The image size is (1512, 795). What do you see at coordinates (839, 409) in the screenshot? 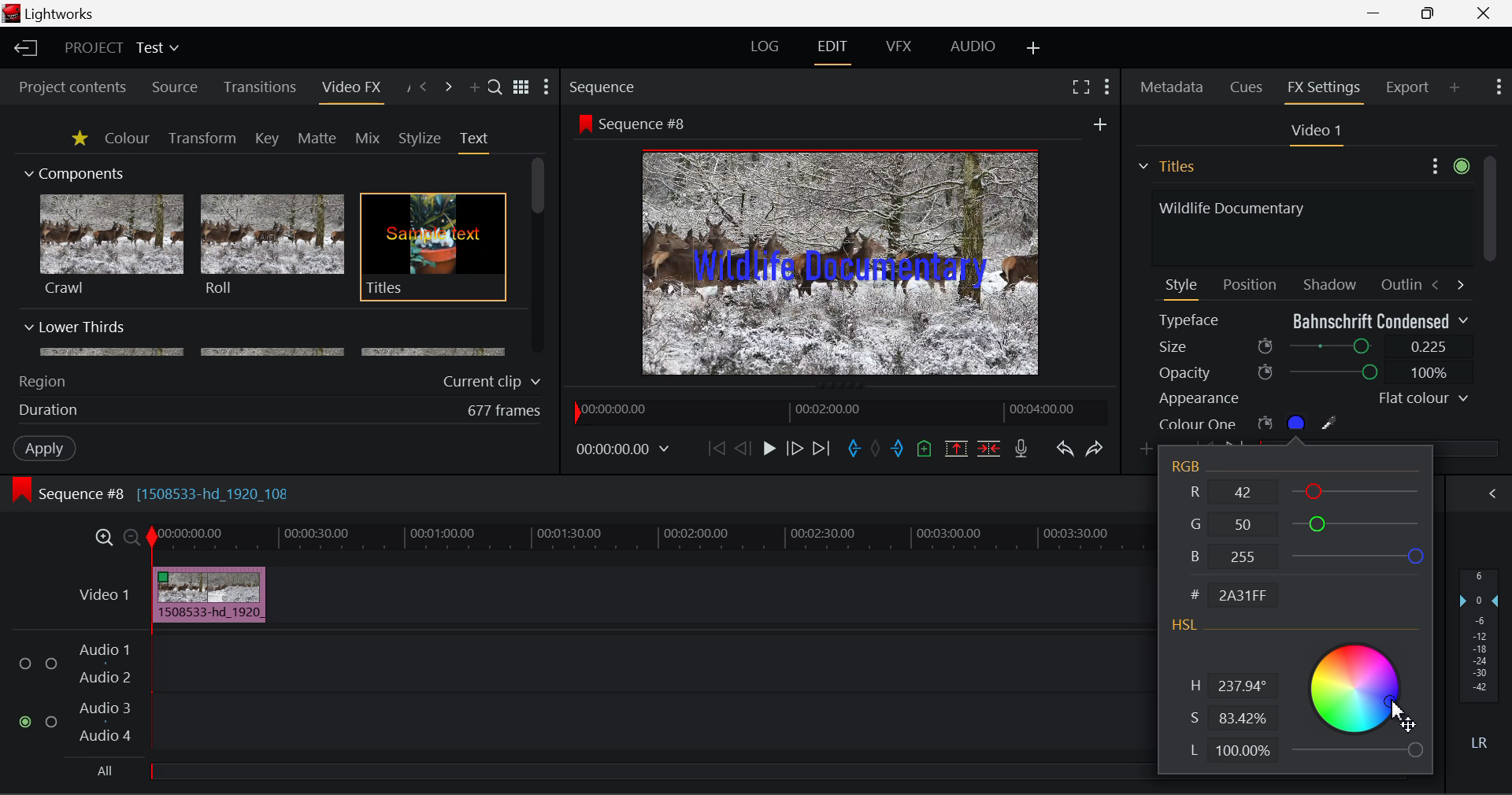
I see `Project Timeline Navigator` at bounding box center [839, 409].